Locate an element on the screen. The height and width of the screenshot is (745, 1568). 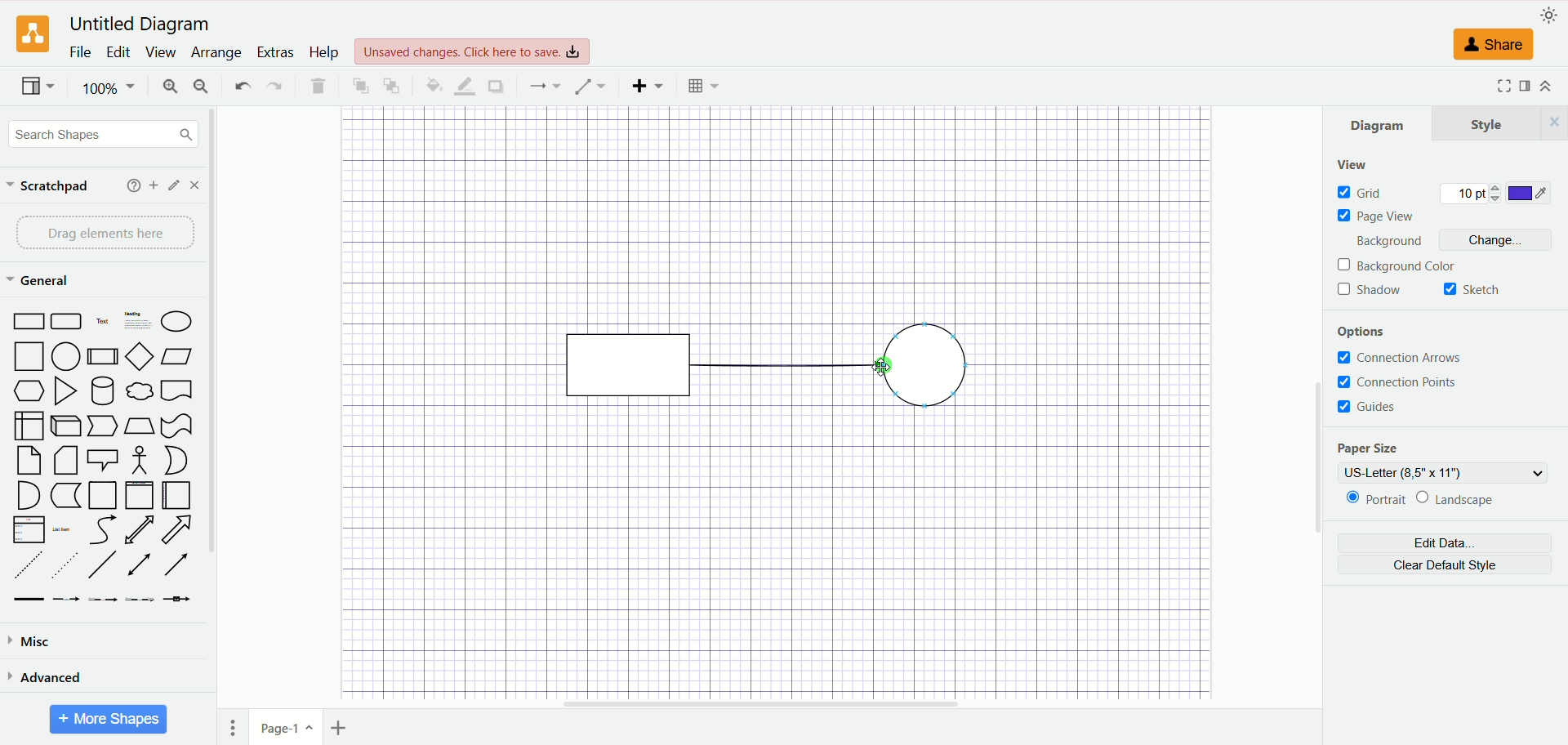
shadow is located at coordinates (1370, 289).